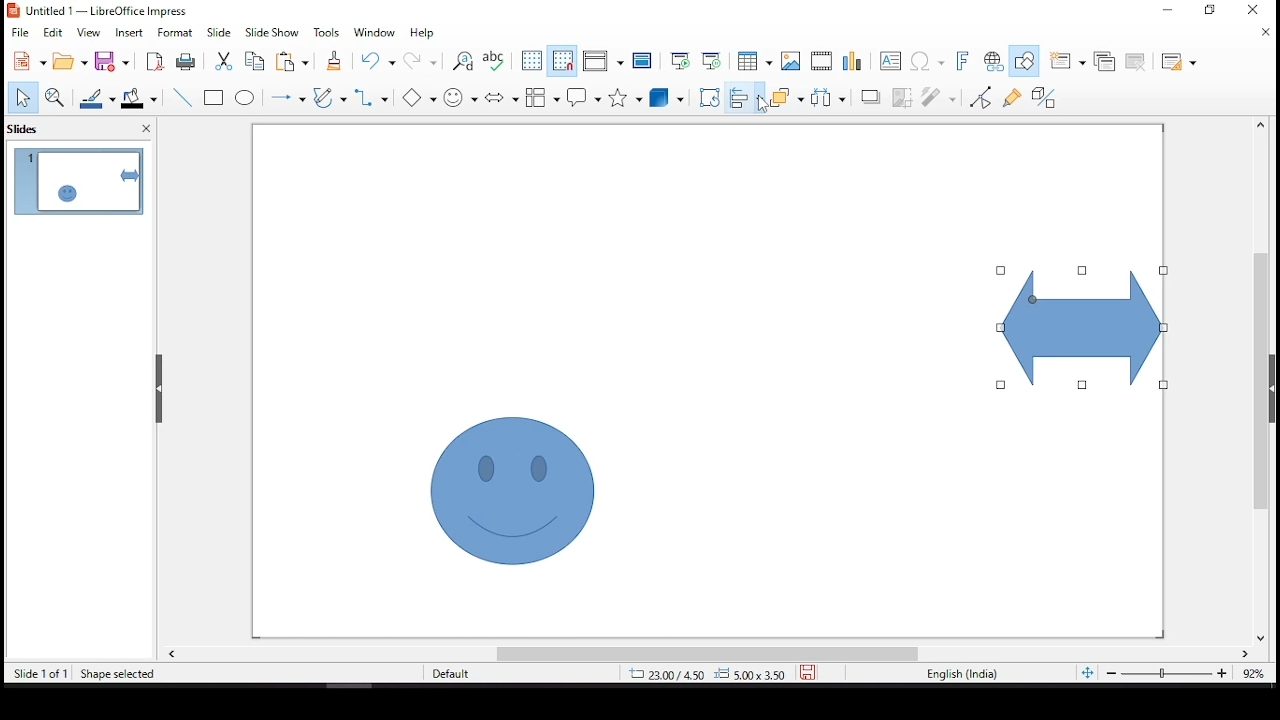 The height and width of the screenshot is (720, 1280). Describe the element at coordinates (743, 97) in the screenshot. I see `align objects` at that location.